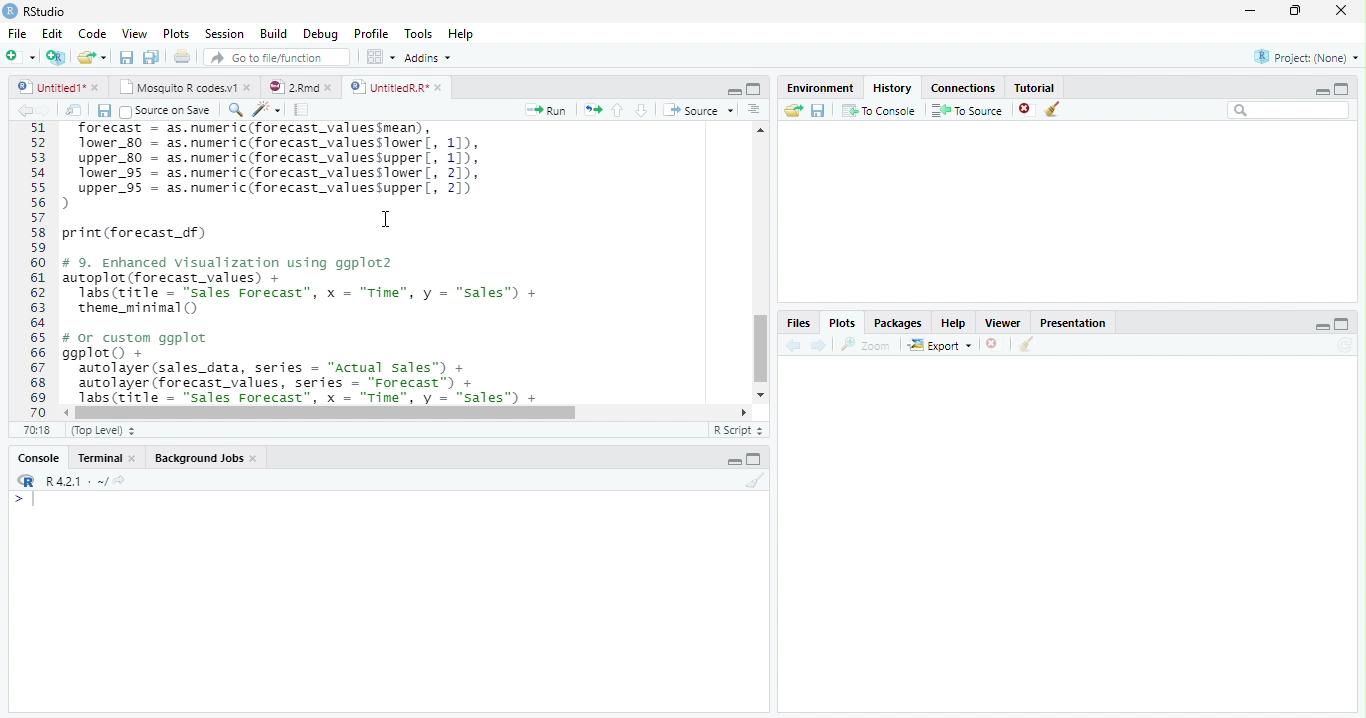  Describe the element at coordinates (22, 111) in the screenshot. I see `Previous` at that location.